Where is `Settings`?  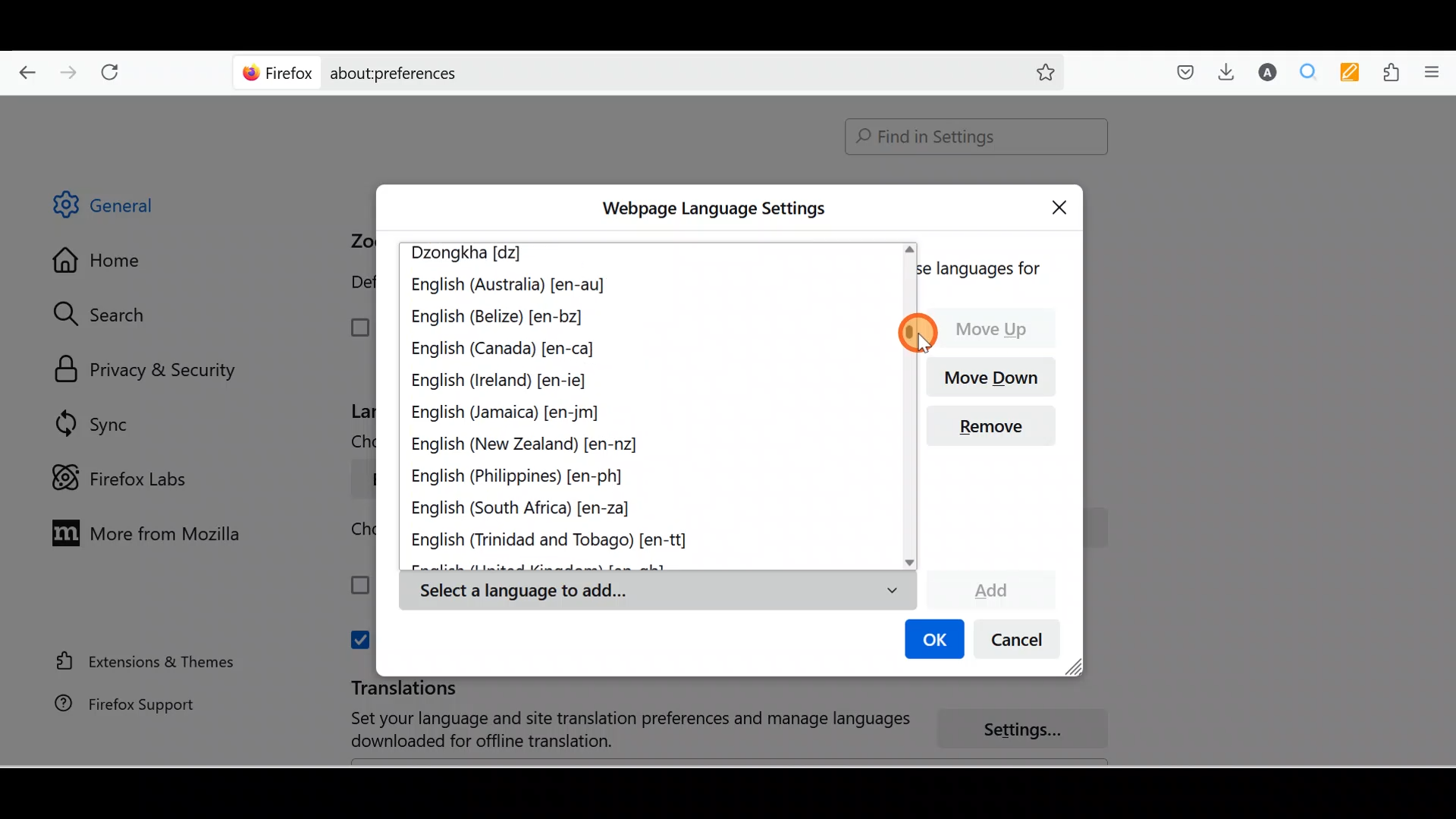
Settings is located at coordinates (1031, 730).